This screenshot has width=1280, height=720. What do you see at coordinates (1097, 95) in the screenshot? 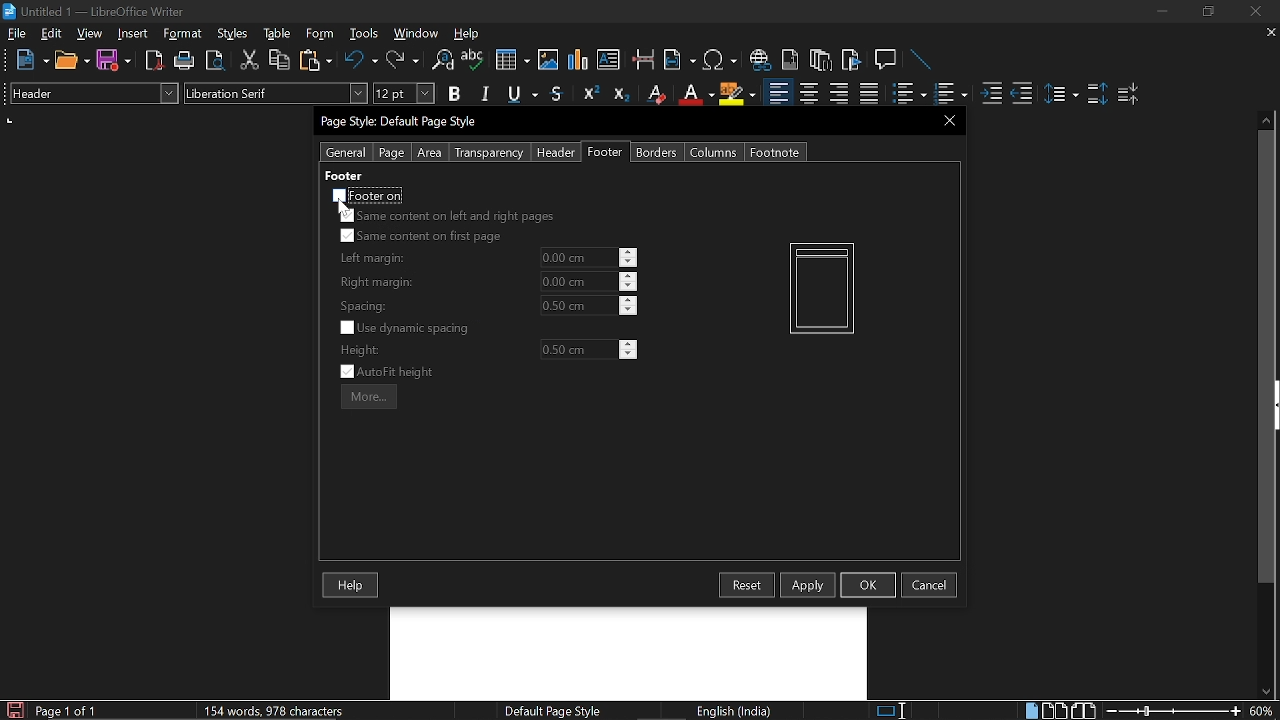
I see `Increase paragraph spacing` at bounding box center [1097, 95].